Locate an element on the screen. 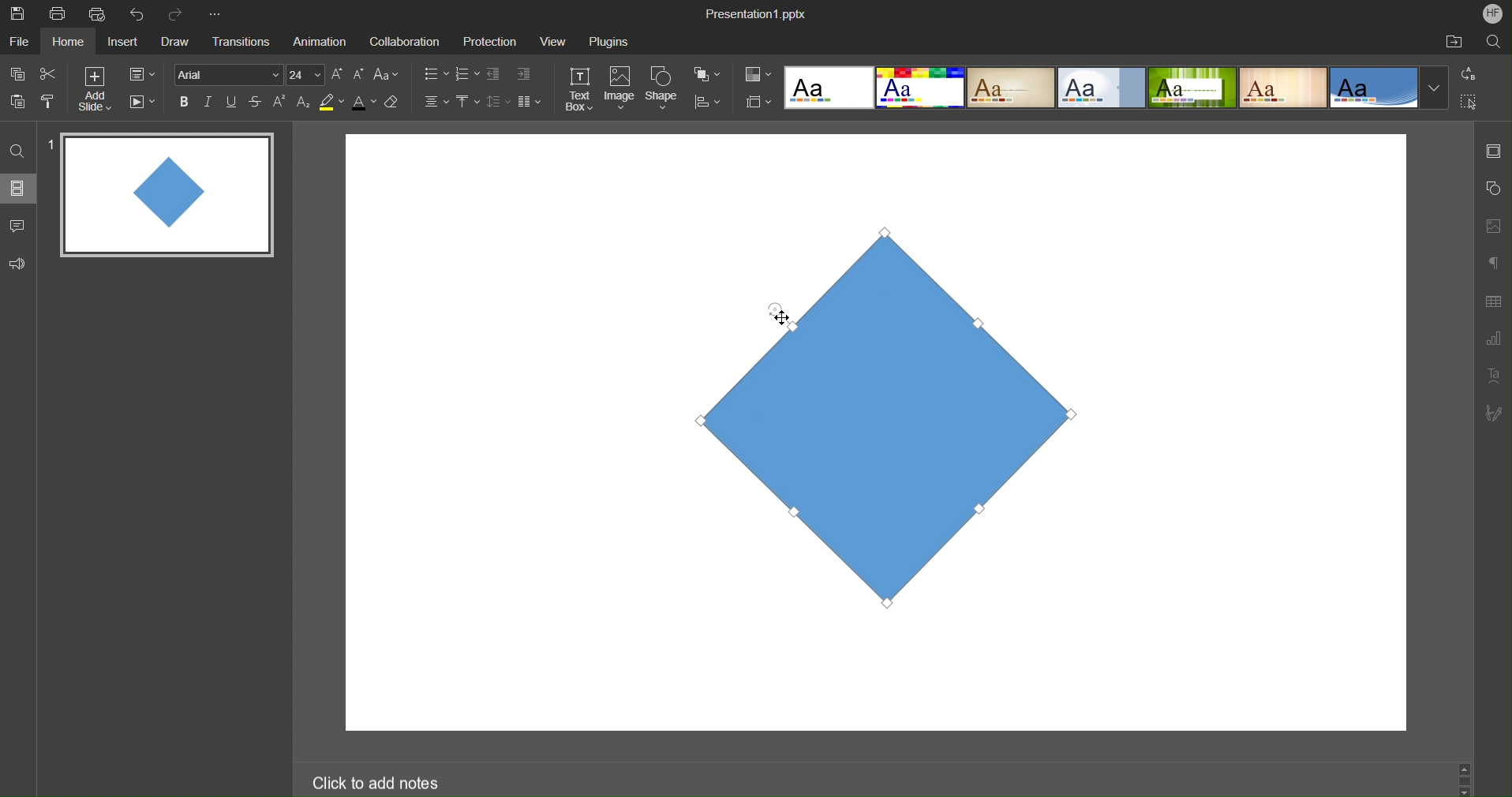 The image size is (1512, 797). Image is located at coordinates (622, 89).